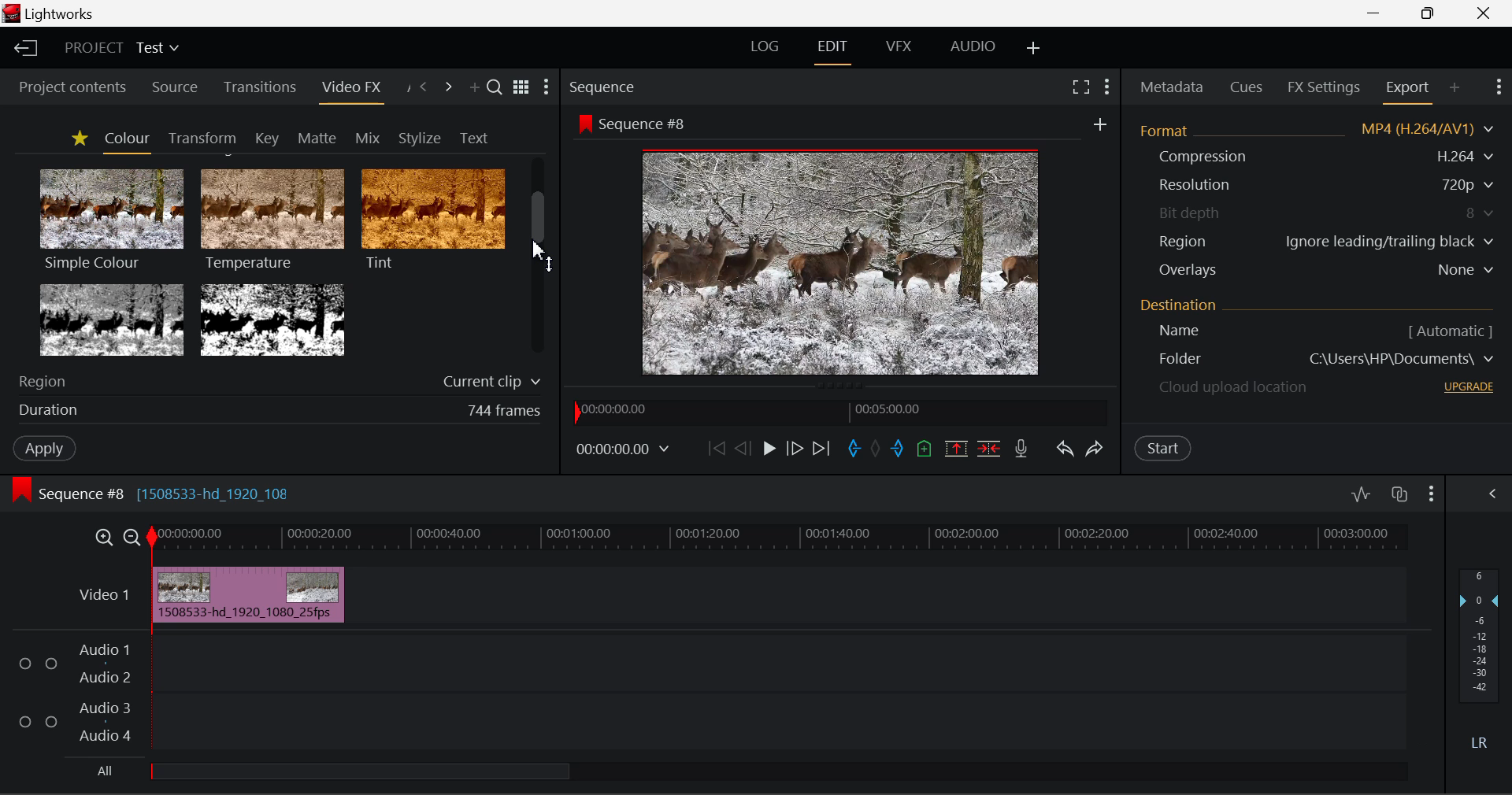 The image size is (1512, 795). I want to click on To start, so click(714, 452).